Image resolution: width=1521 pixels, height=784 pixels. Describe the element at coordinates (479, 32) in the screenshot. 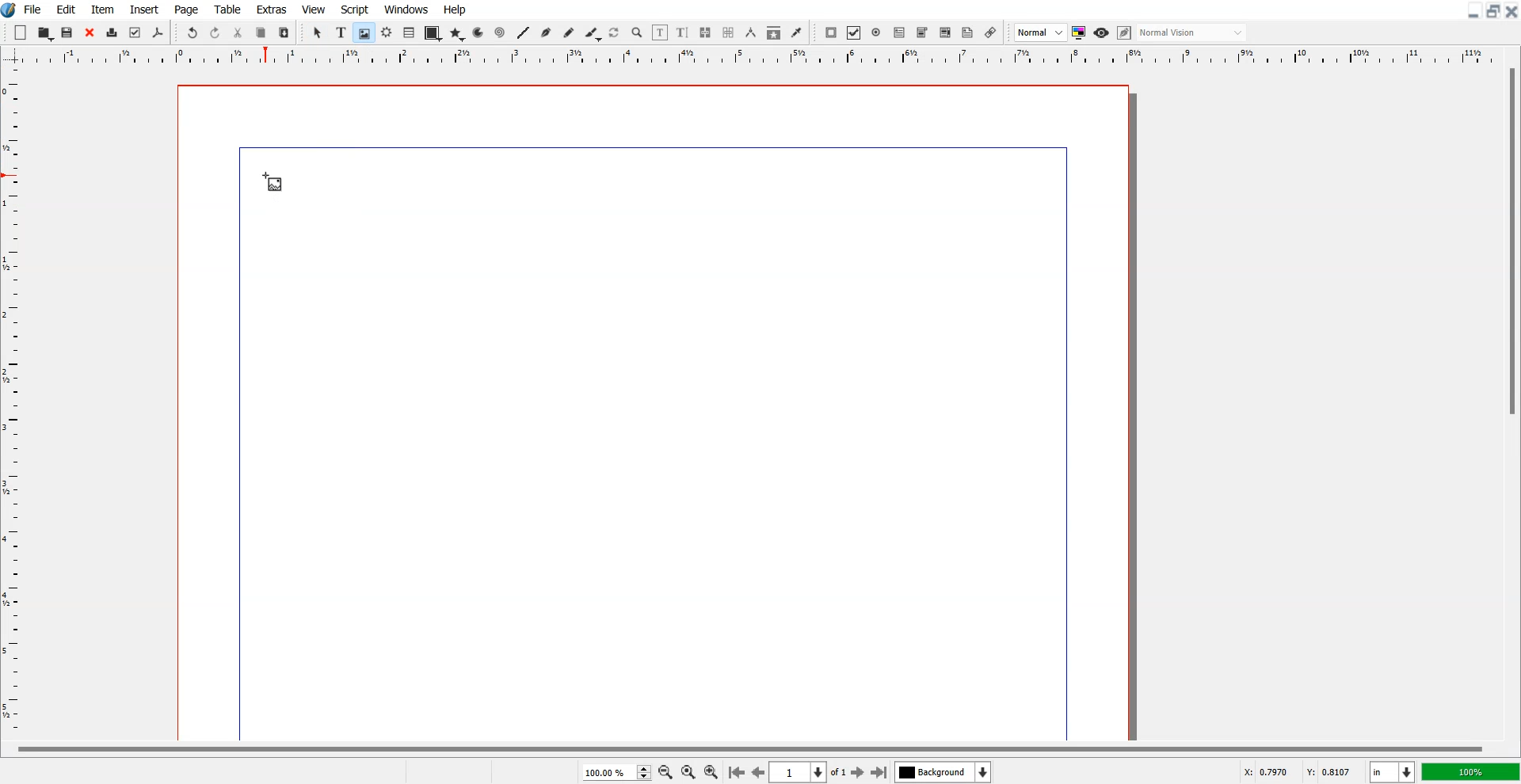

I see `Arc` at that location.